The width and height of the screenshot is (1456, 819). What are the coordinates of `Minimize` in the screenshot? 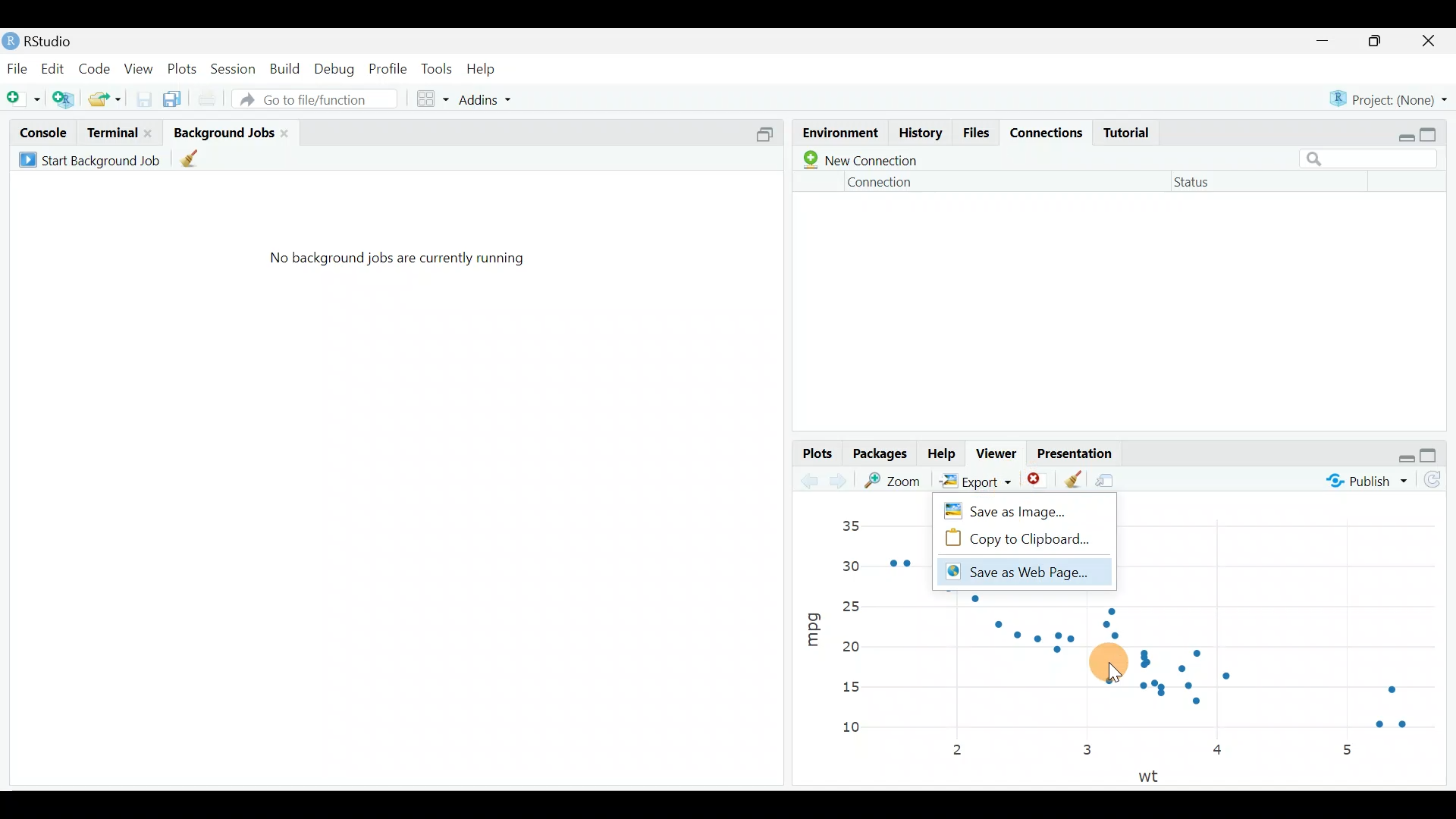 It's located at (1326, 42).